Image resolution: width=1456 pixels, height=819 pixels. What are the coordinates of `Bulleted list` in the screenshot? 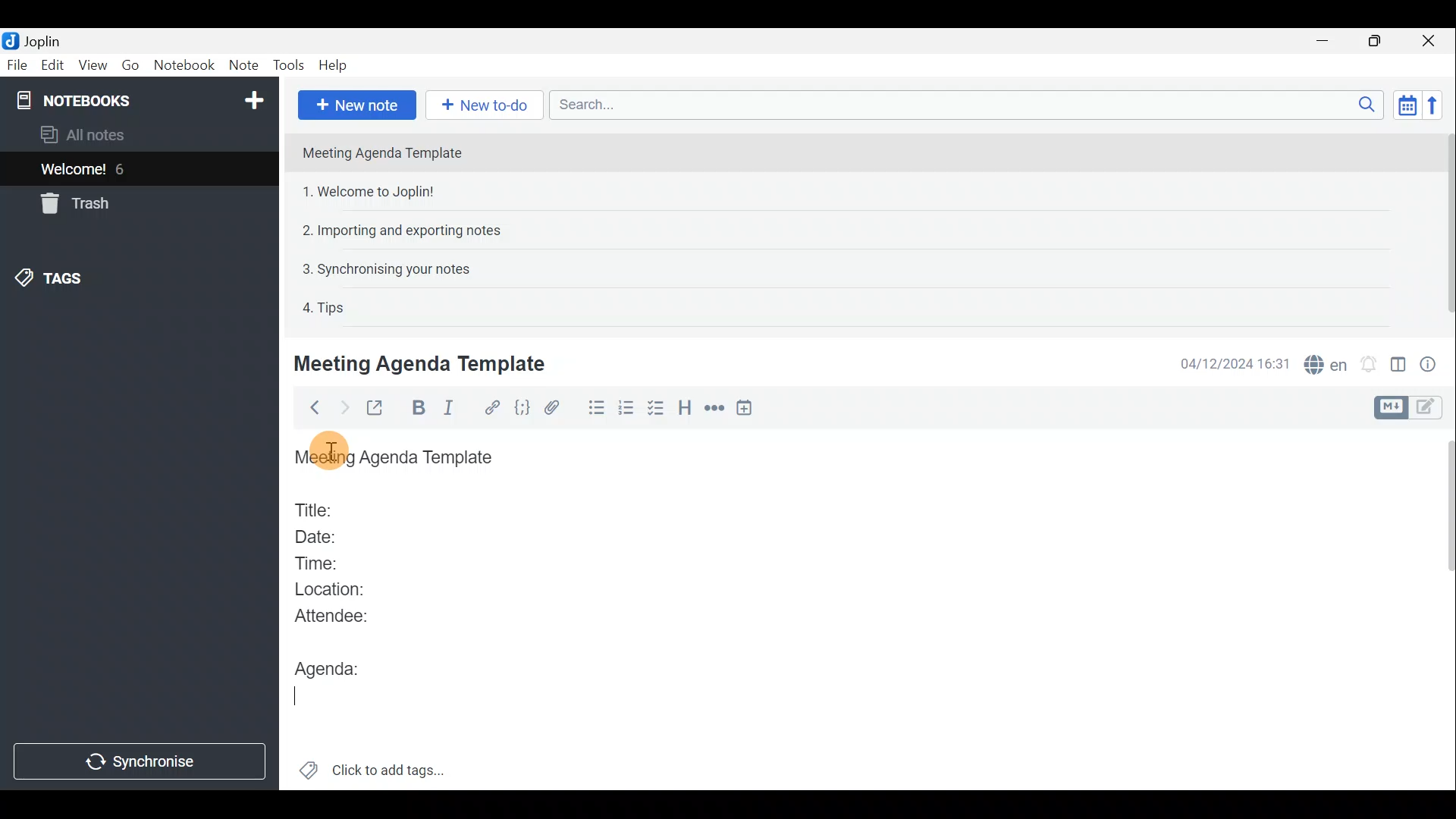 It's located at (595, 408).